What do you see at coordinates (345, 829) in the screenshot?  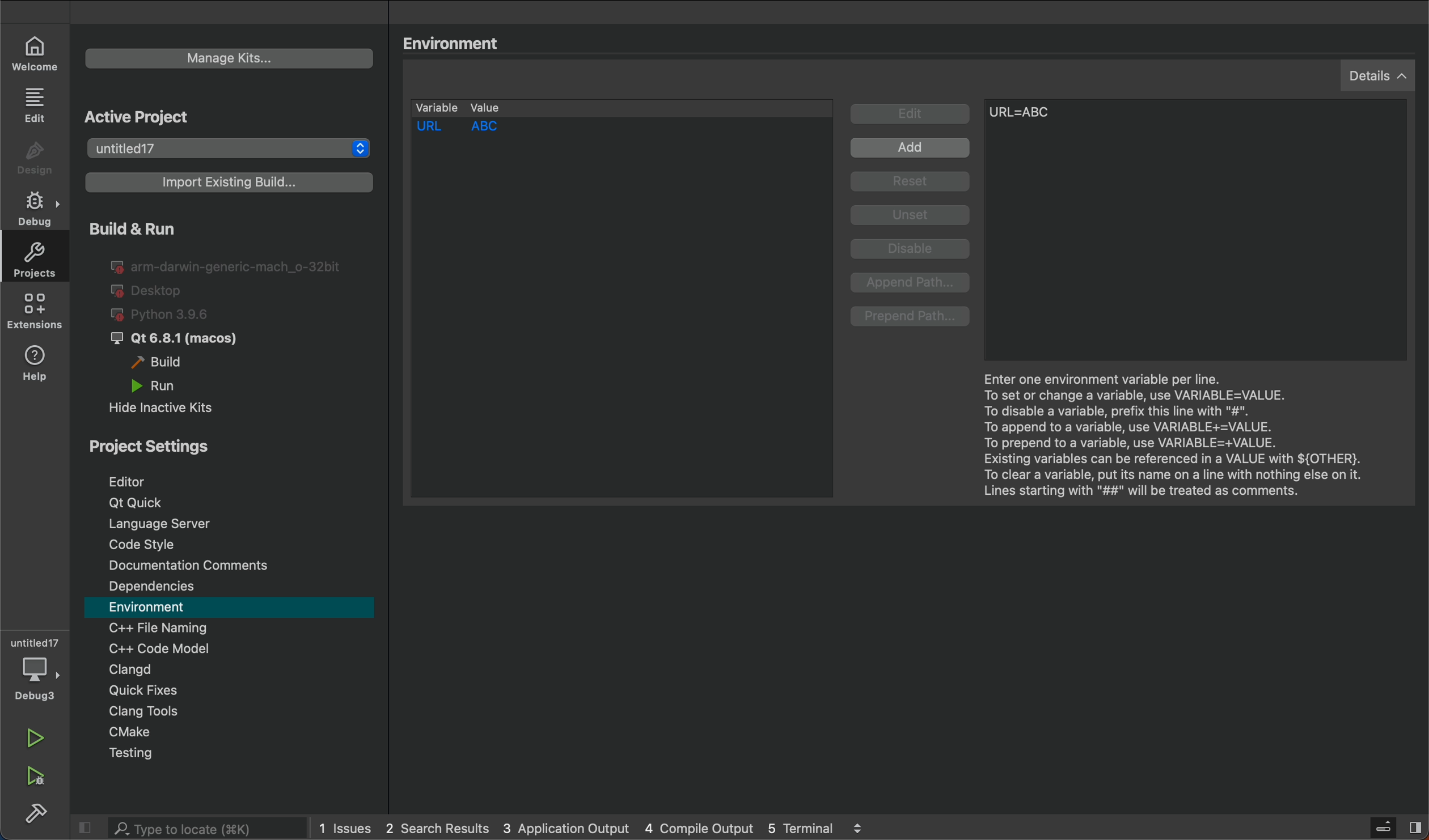 I see `issues` at bounding box center [345, 829].